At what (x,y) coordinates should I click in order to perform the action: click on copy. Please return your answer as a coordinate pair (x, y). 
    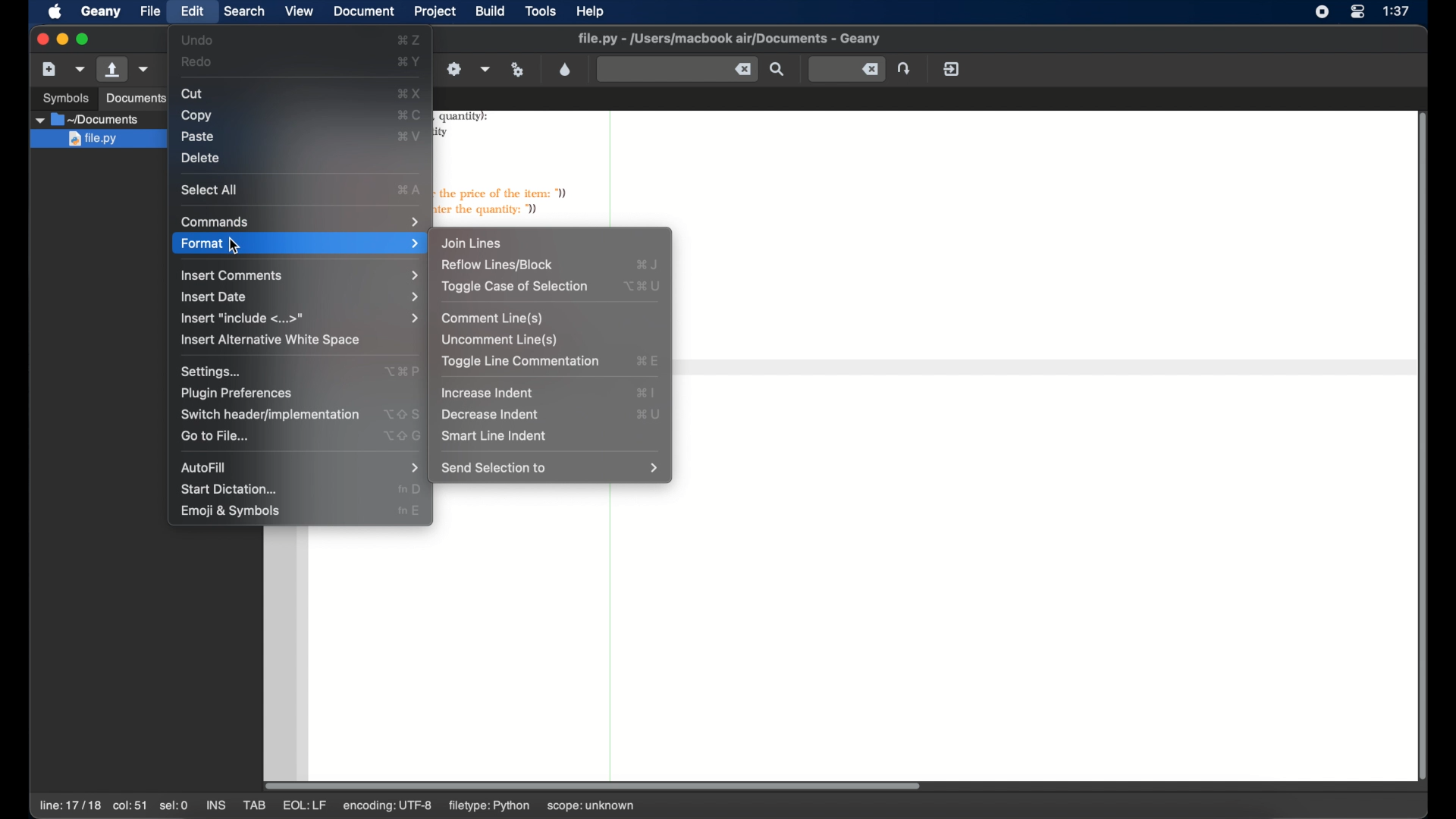
    Looking at the image, I should click on (196, 116).